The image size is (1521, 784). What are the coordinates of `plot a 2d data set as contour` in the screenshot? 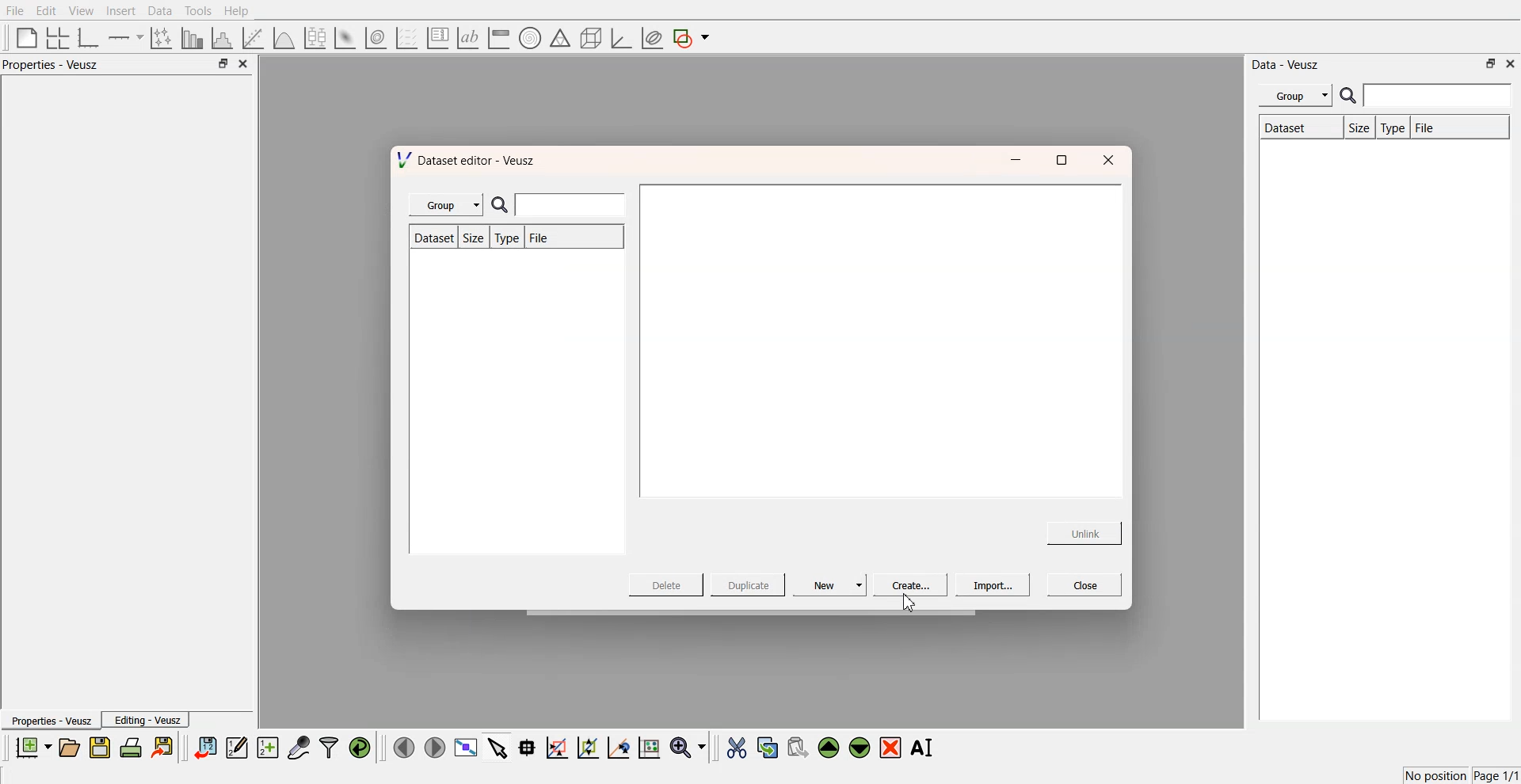 It's located at (375, 39).